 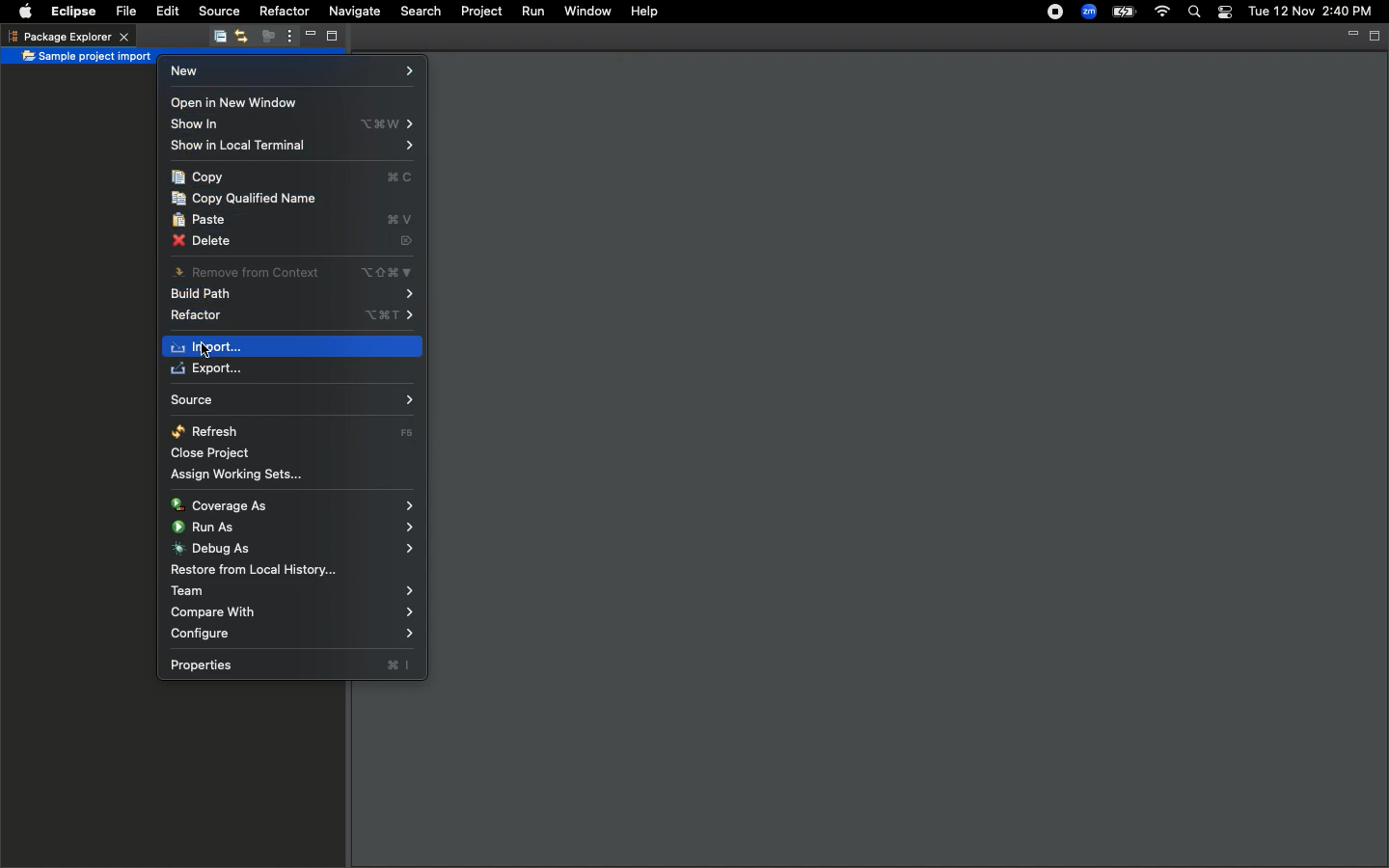 What do you see at coordinates (294, 219) in the screenshot?
I see `Paste` at bounding box center [294, 219].